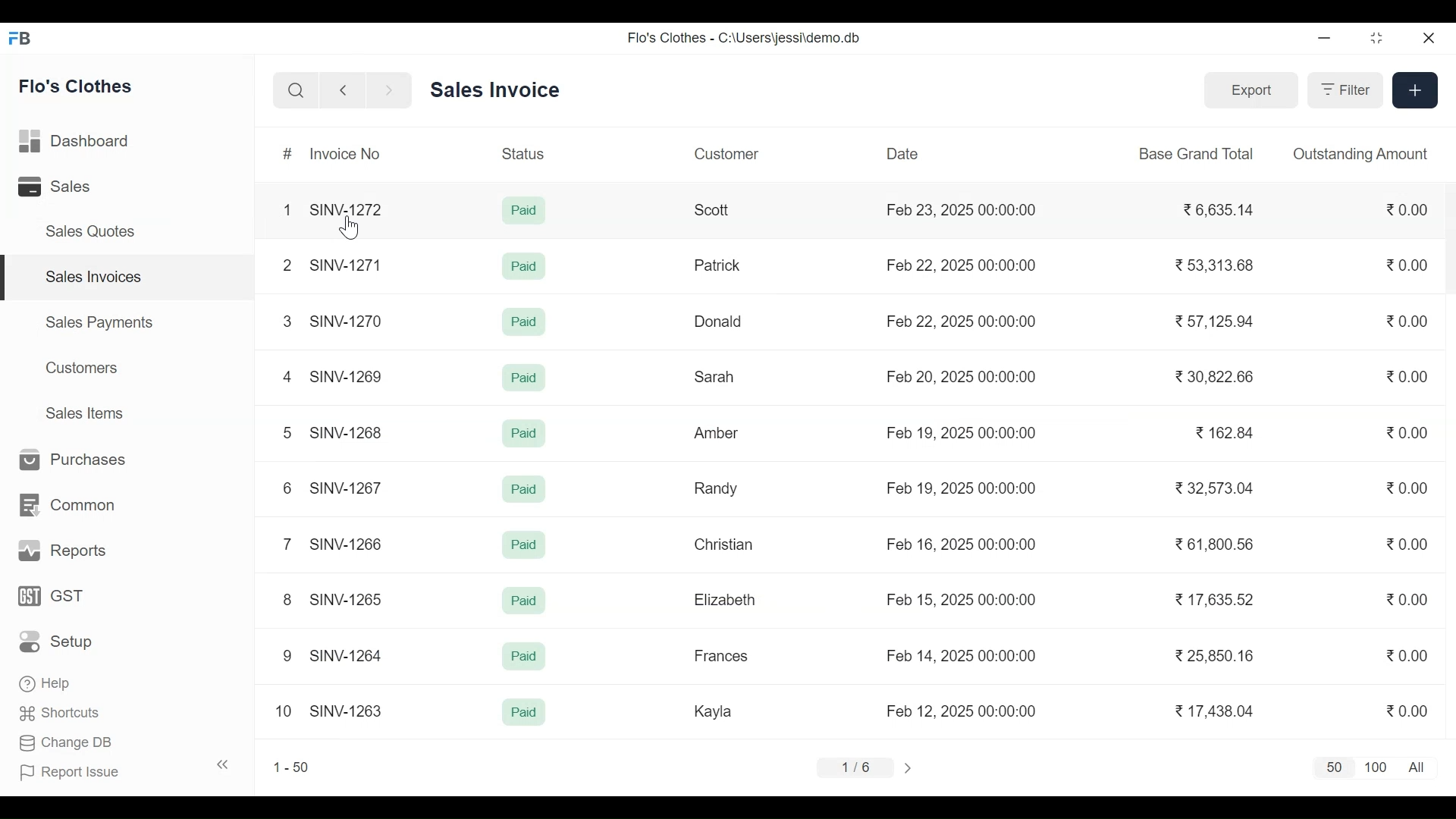 This screenshot has width=1456, height=819. What do you see at coordinates (101, 322) in the screenshot?
I see `Sales Payments` at bounding box center [101, 322].